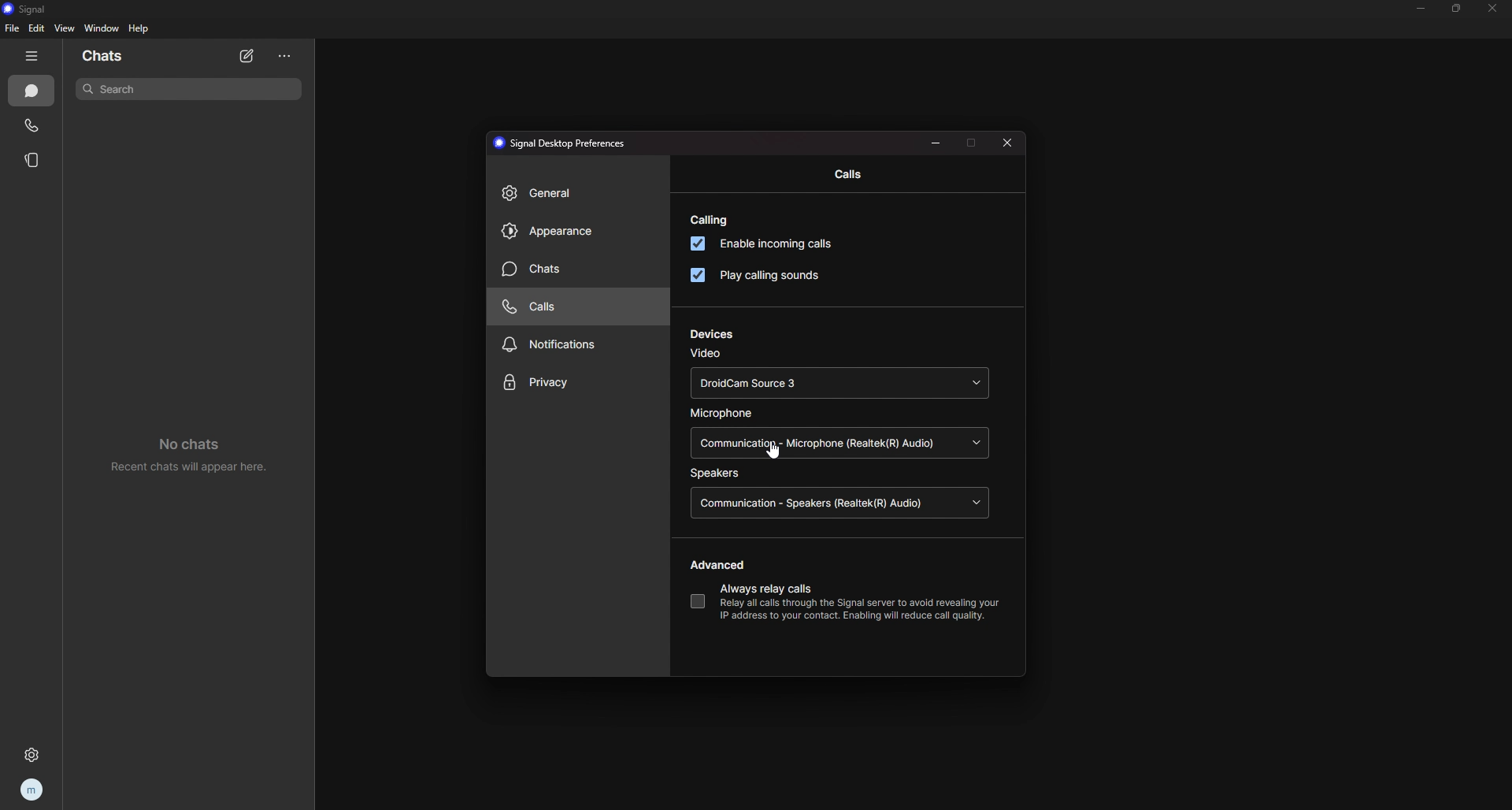 This screenshot has width=1512, height=810. What do you see at coordinates (973, 143) in the screenshot?
I see `maximize` at bounding box center [973, 143].